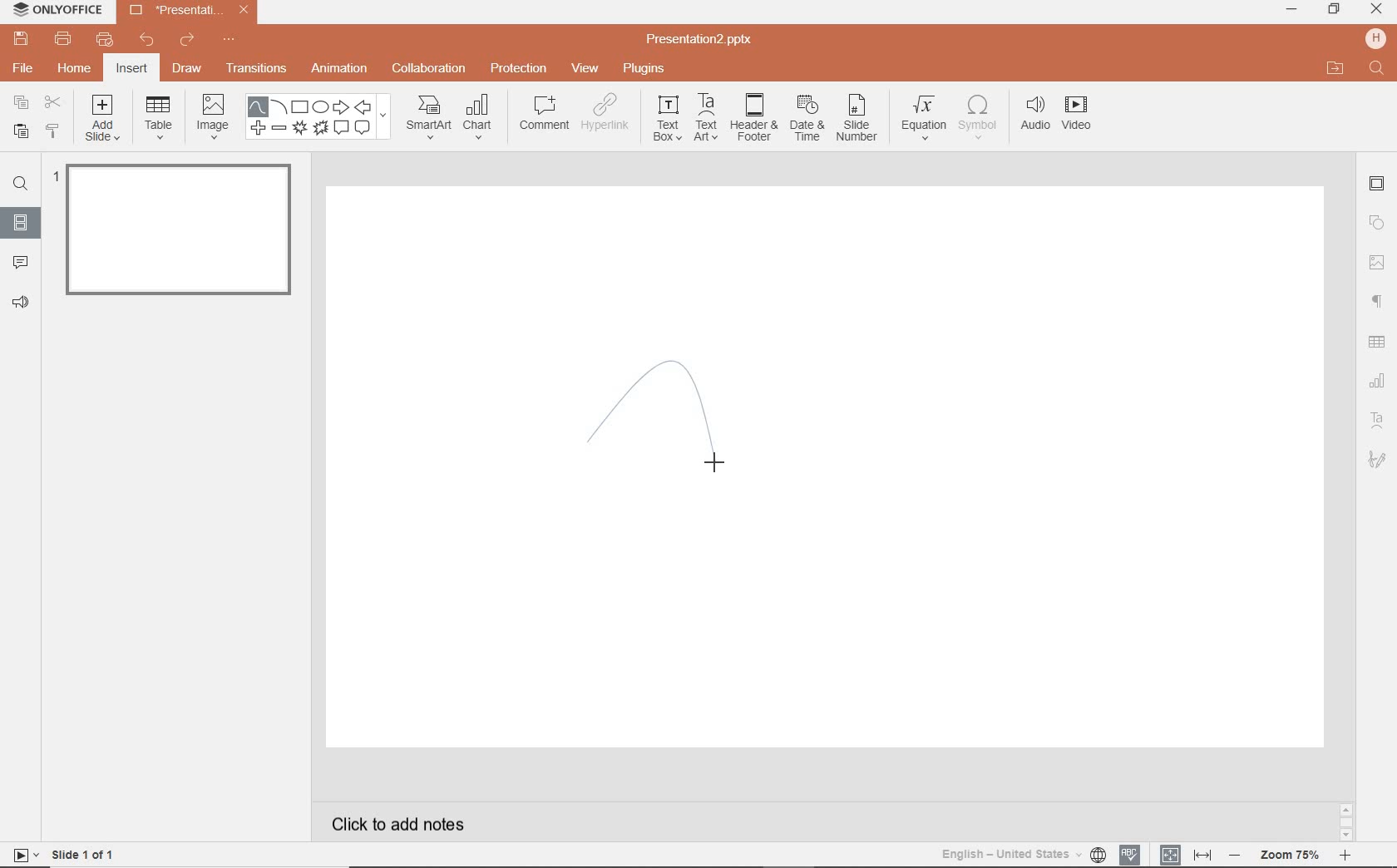 The width and height of the screenshot is (1397, 868). Describe the element at coordinates (1036, 114) in the screenshot. I see `AUDIO` at that location.